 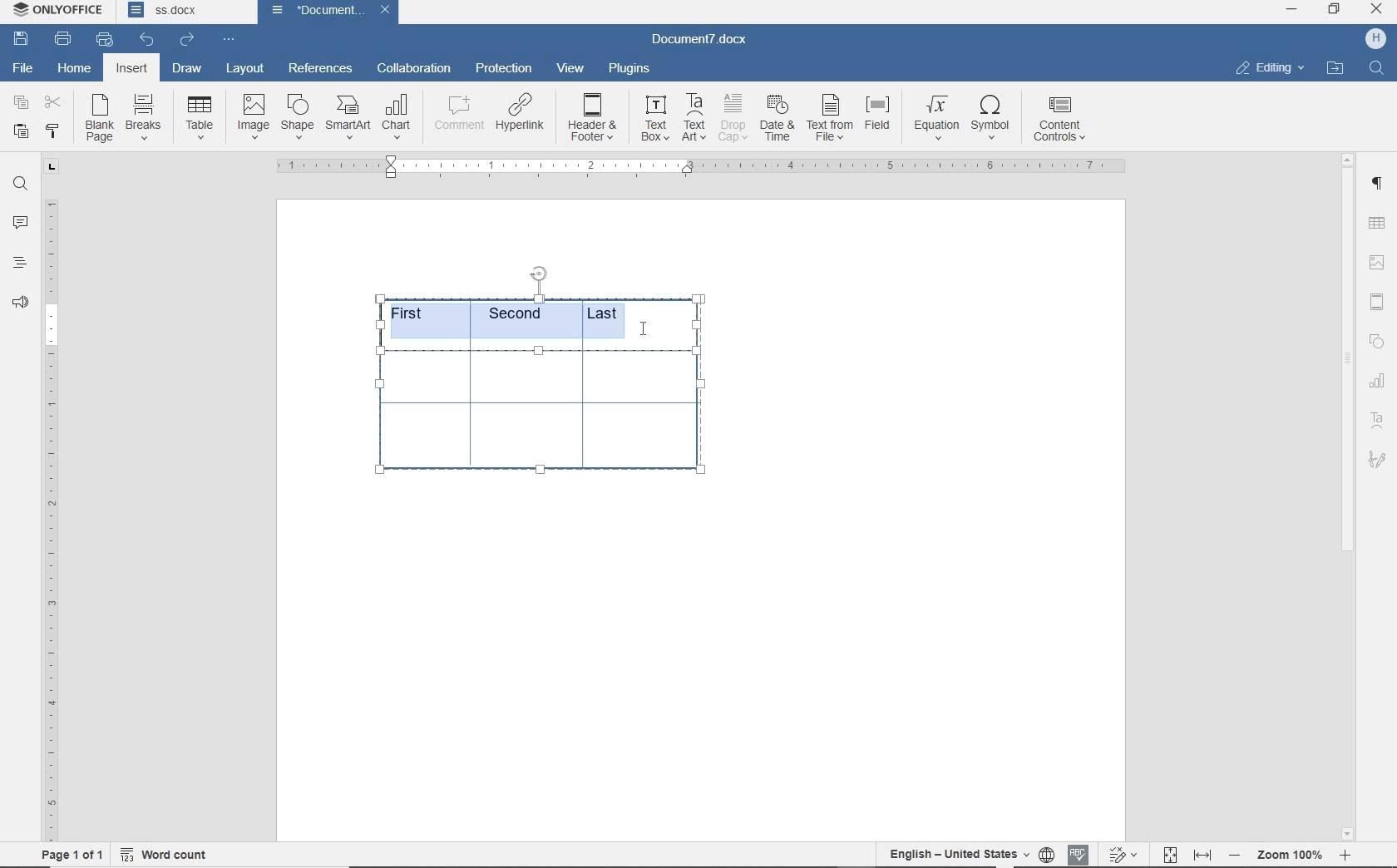 I want to click on references, so click(x=320, y=66).